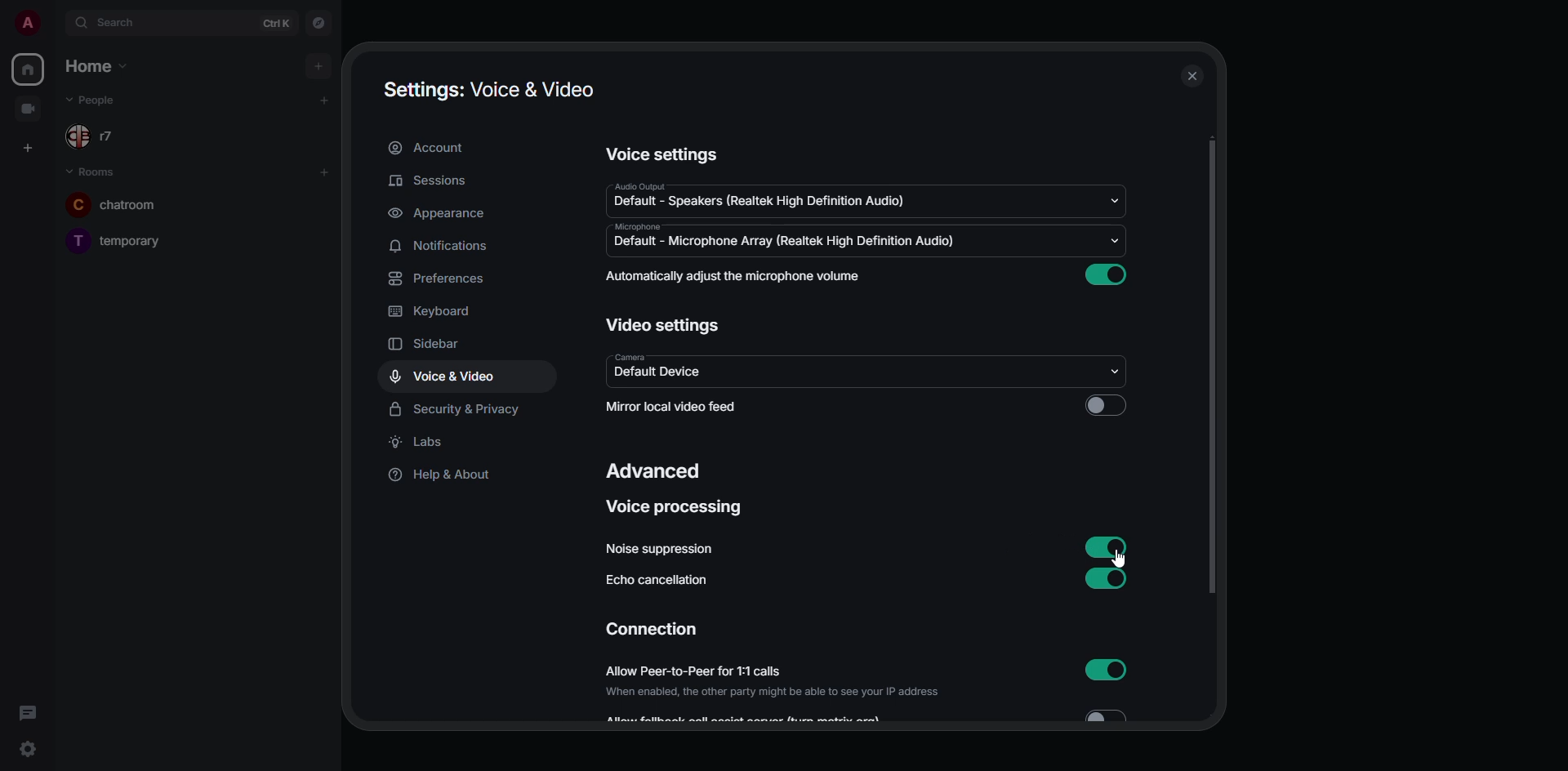 The width and height of the screenshot is (1568, 771). What do you see at coordinates (653, 473) in the screenshot?
I see `advanced` at bounding box center [653, 473].